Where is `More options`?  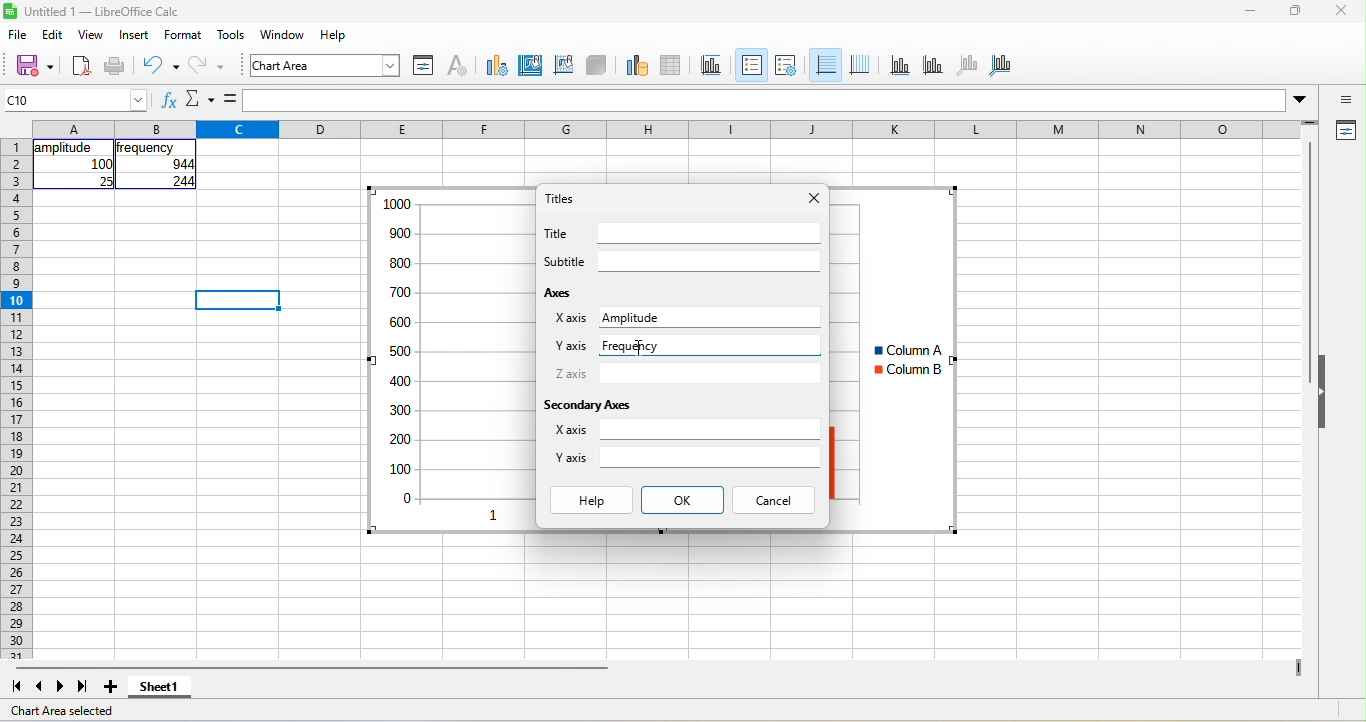
More options is located at coordinates (1299, 101).